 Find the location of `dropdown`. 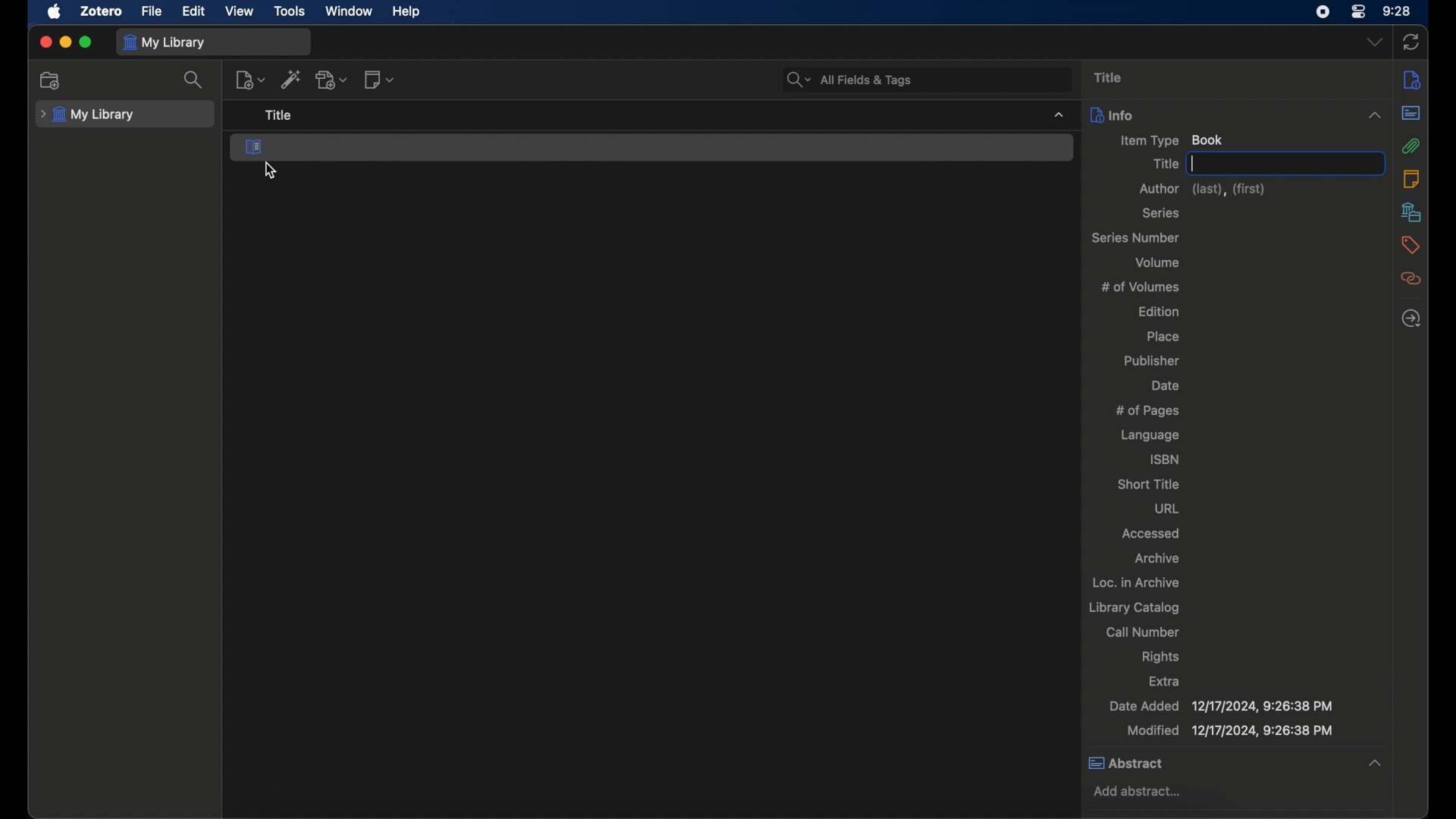

dropdown is located at coordinates (1373, 42).